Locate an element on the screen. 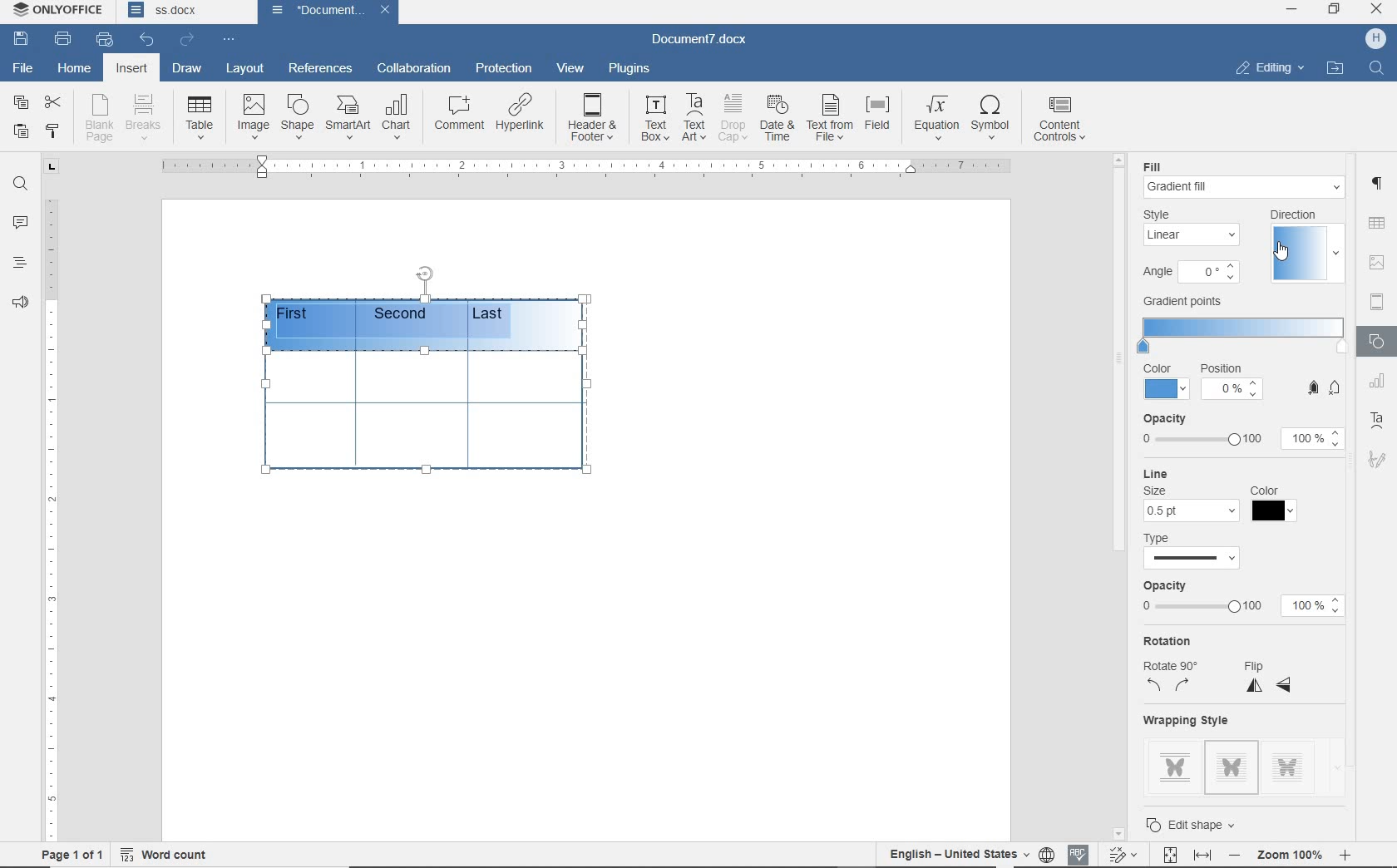  PARAGRAPH SETTINGS is located at coordinates (1377, 181).